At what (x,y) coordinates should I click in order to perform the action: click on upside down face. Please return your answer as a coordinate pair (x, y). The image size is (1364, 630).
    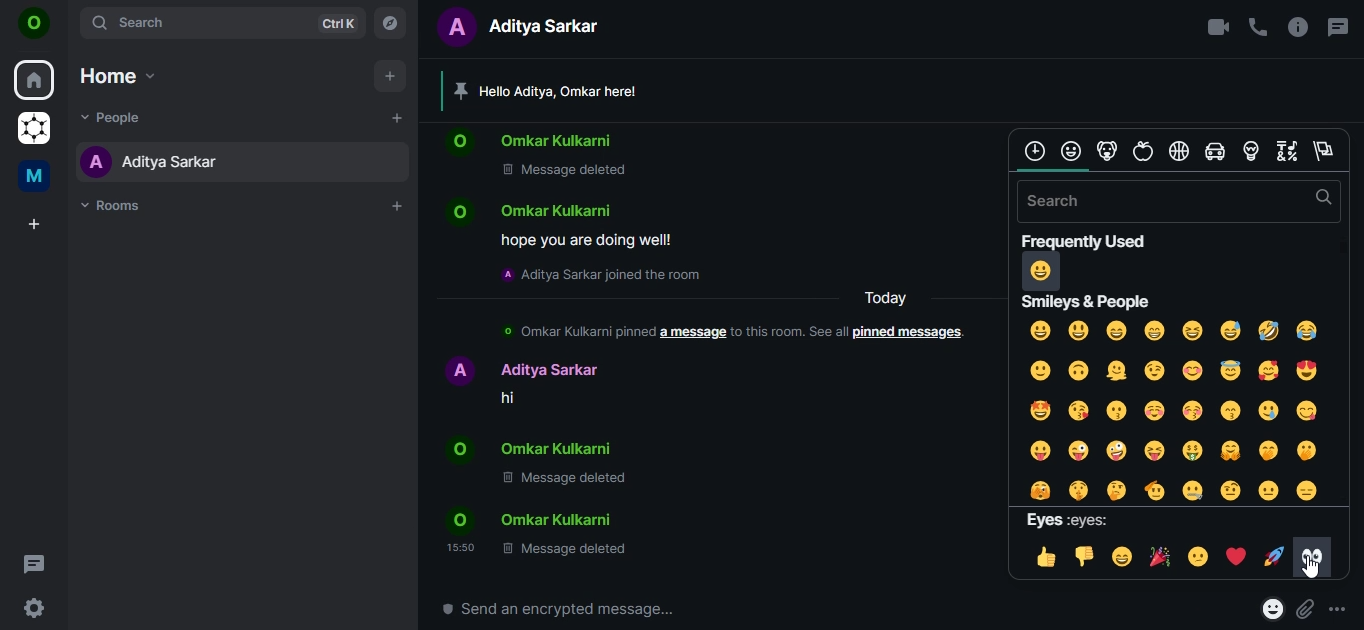
    Looking at the image, I should click on (1078, 370).